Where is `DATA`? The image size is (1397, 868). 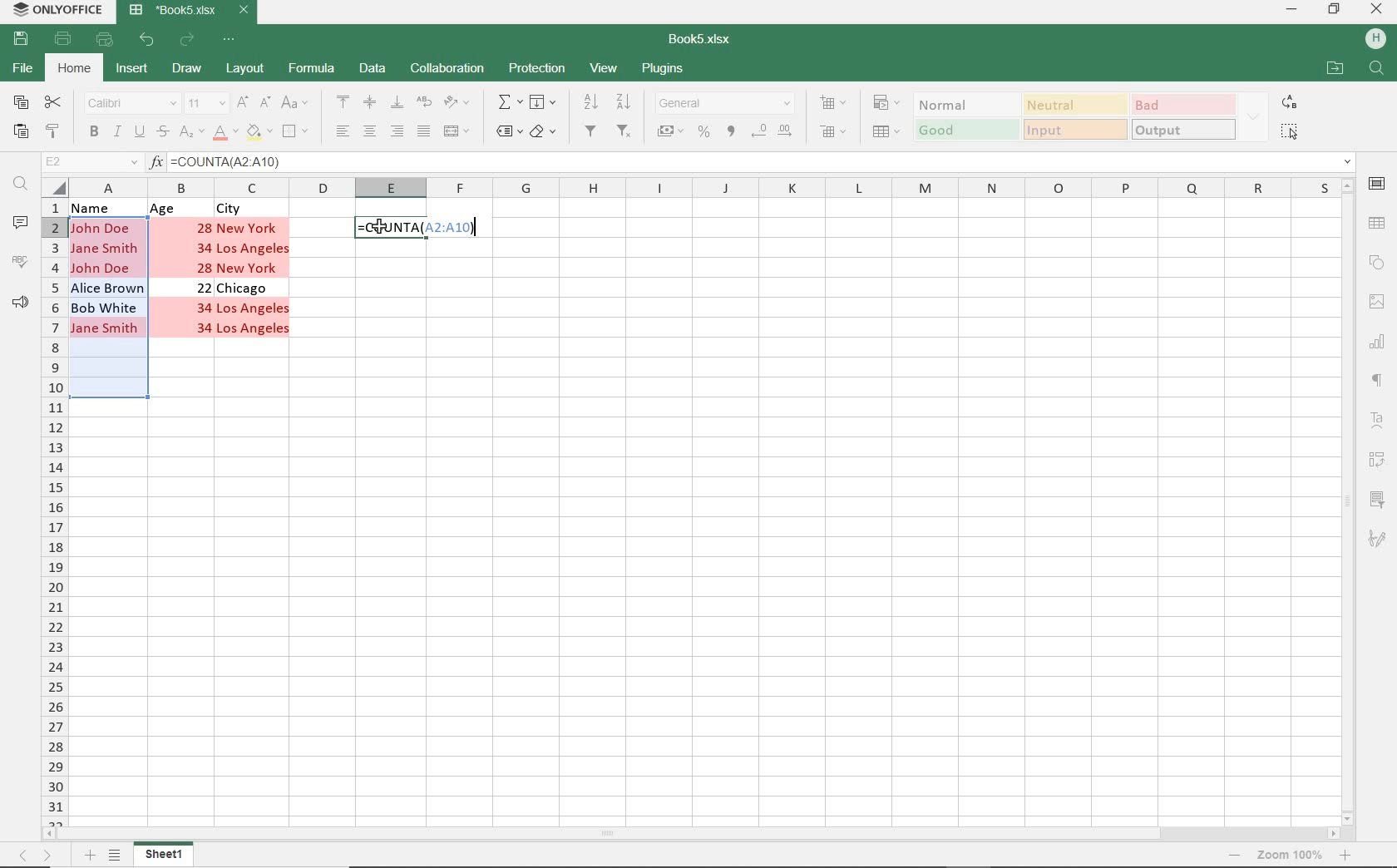 DATA is located at coordinates (373, 72).